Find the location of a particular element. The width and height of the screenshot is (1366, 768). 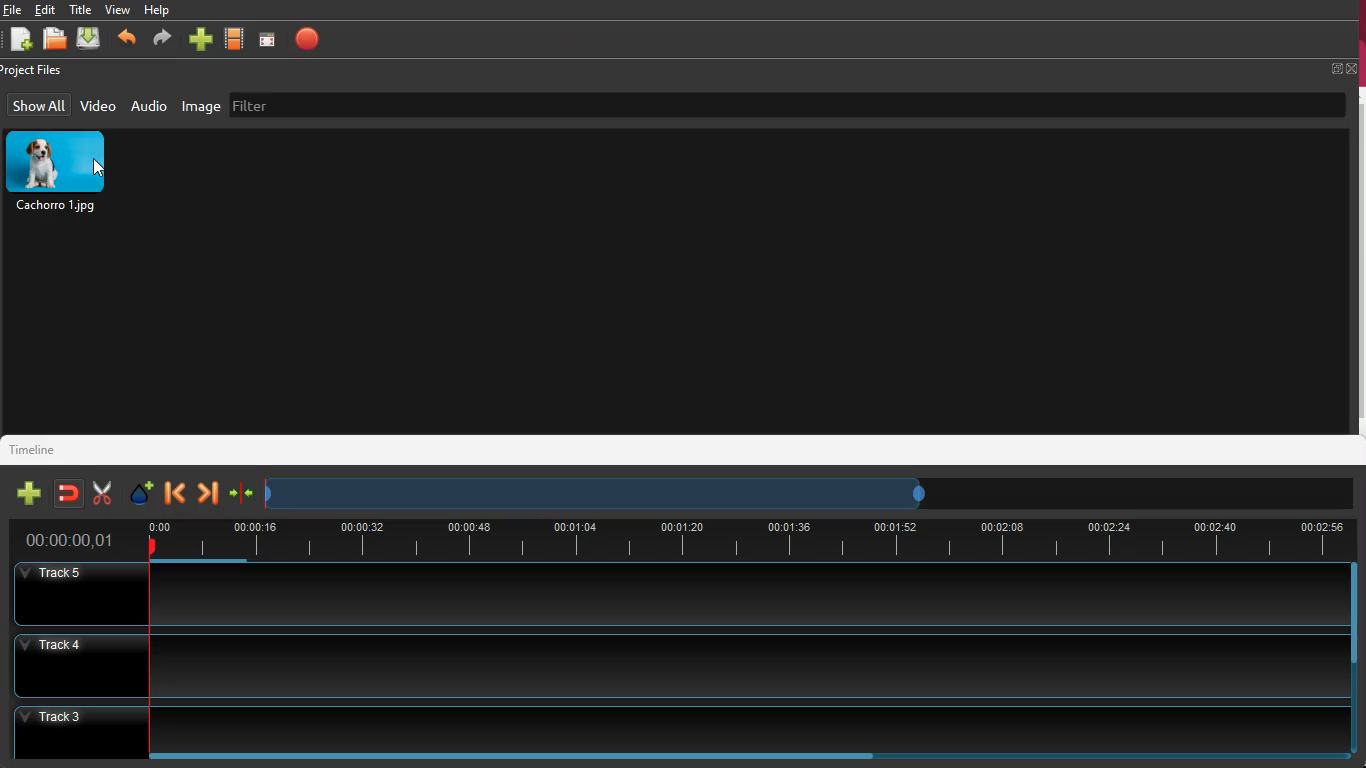

time is located at coordinates (743, 540).